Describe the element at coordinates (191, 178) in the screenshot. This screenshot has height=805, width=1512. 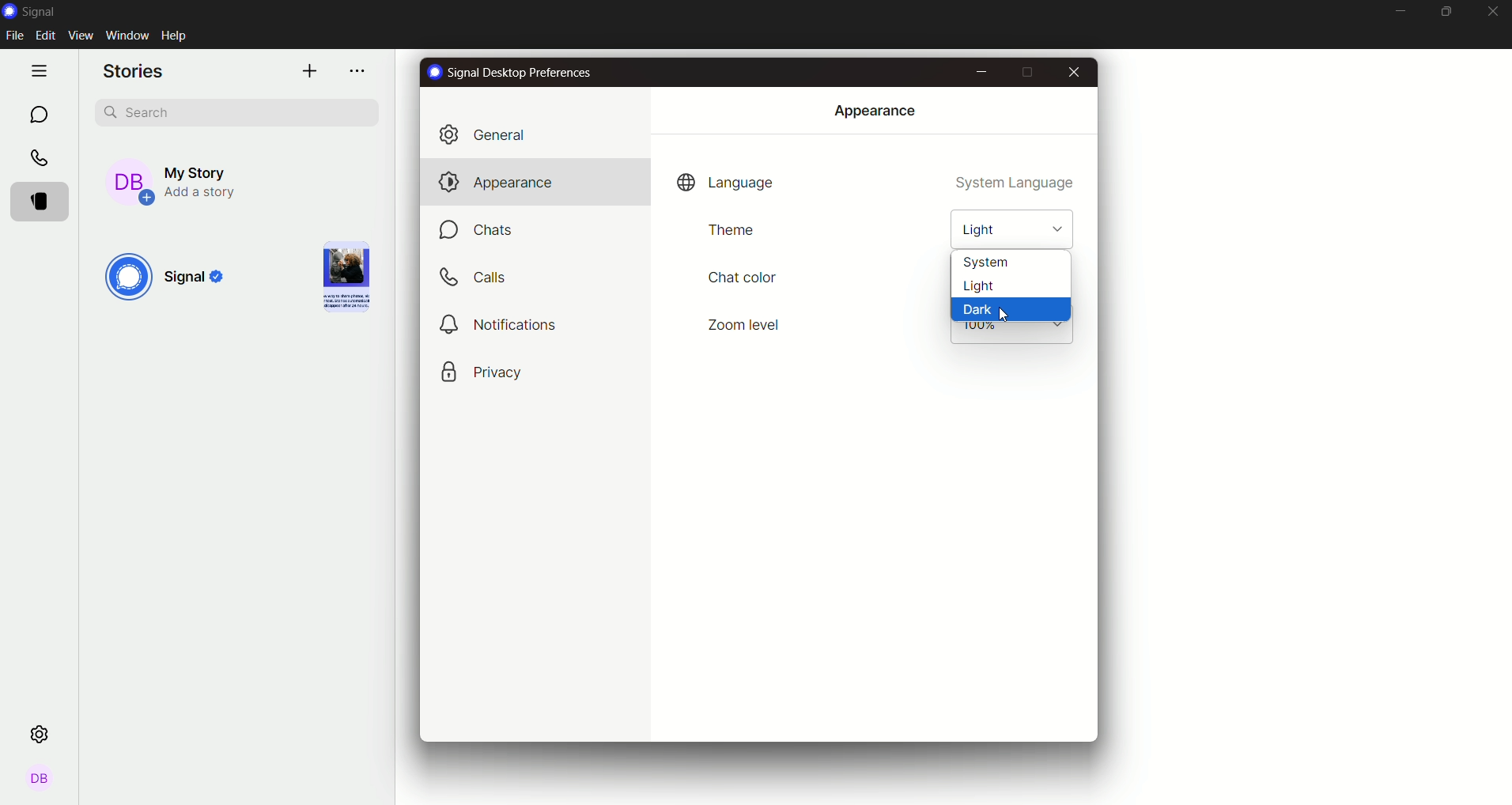
I see `my story` at that location.